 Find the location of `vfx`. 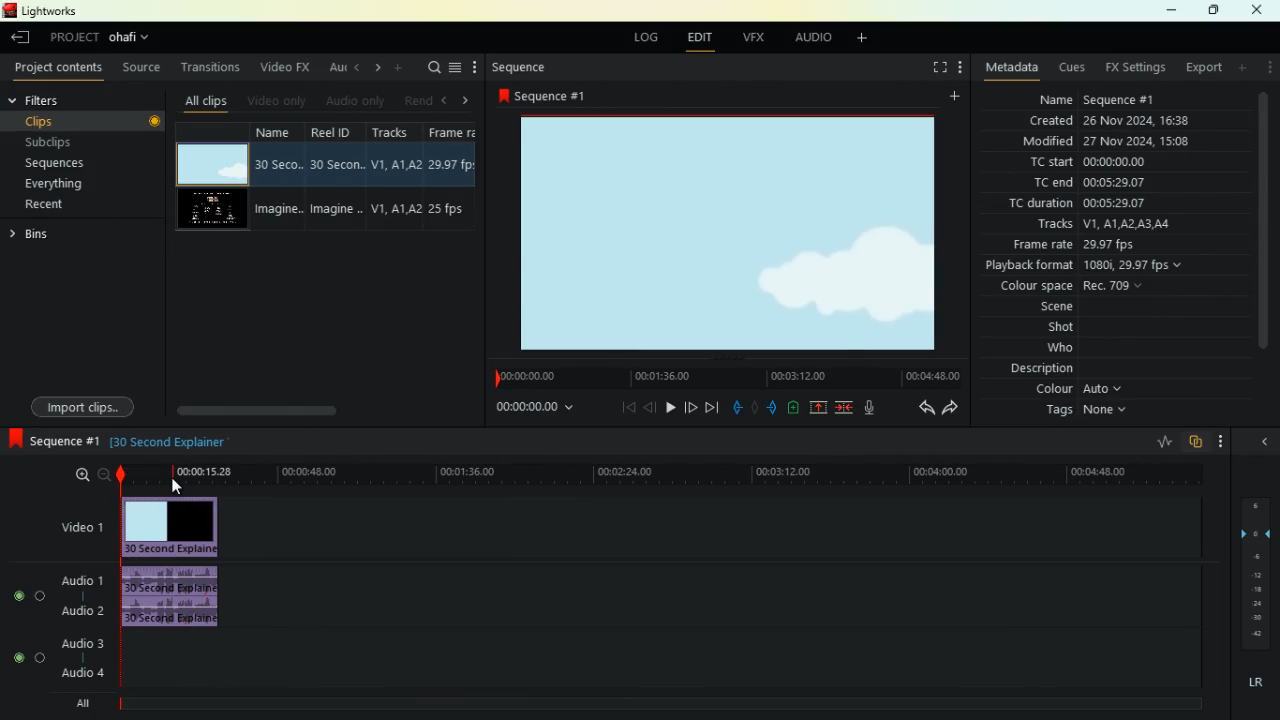

vfx is located at coordinates (750, 38).